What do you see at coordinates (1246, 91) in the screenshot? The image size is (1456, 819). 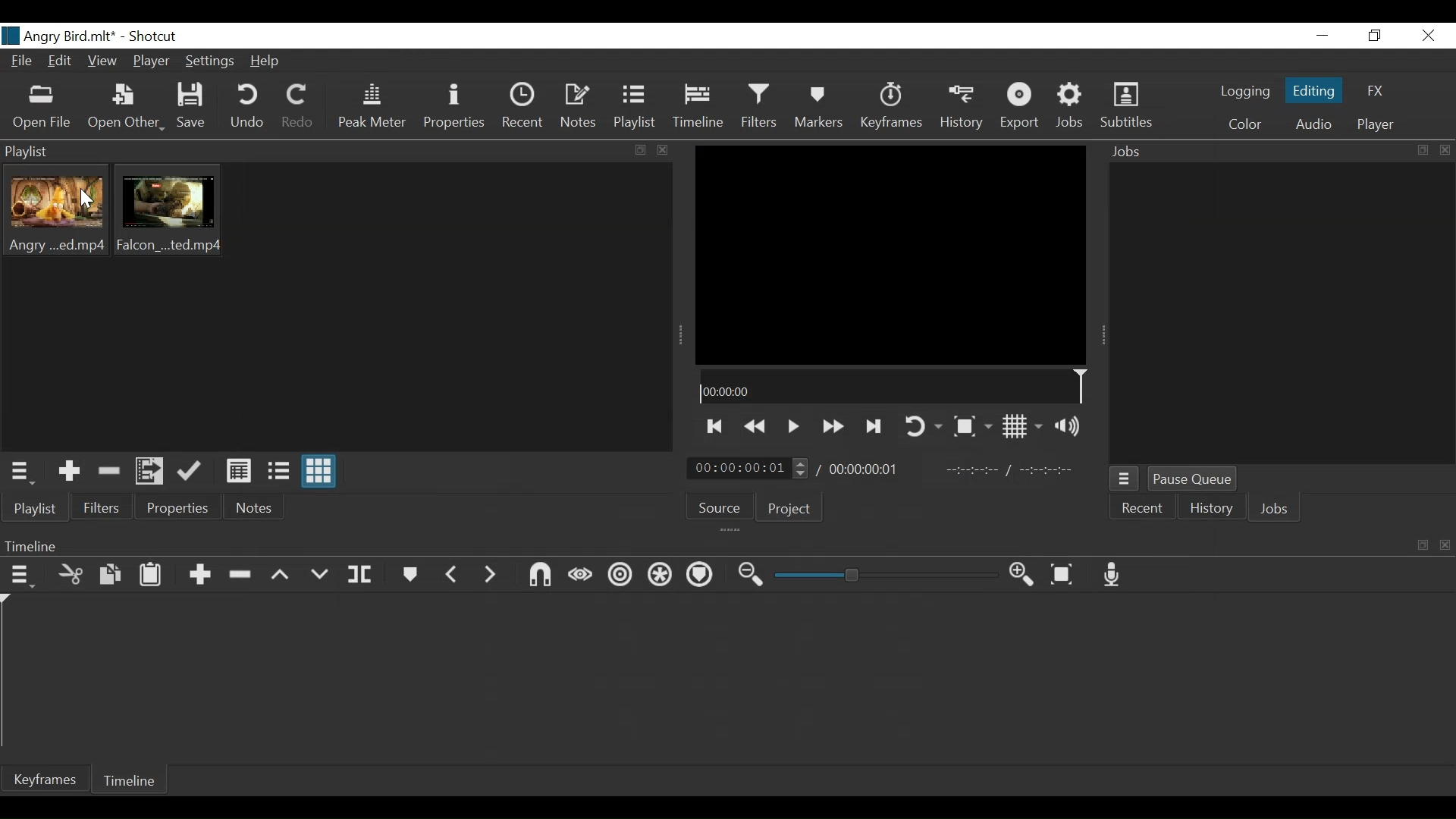 I see `logging` at bounding box center [1246, 91].